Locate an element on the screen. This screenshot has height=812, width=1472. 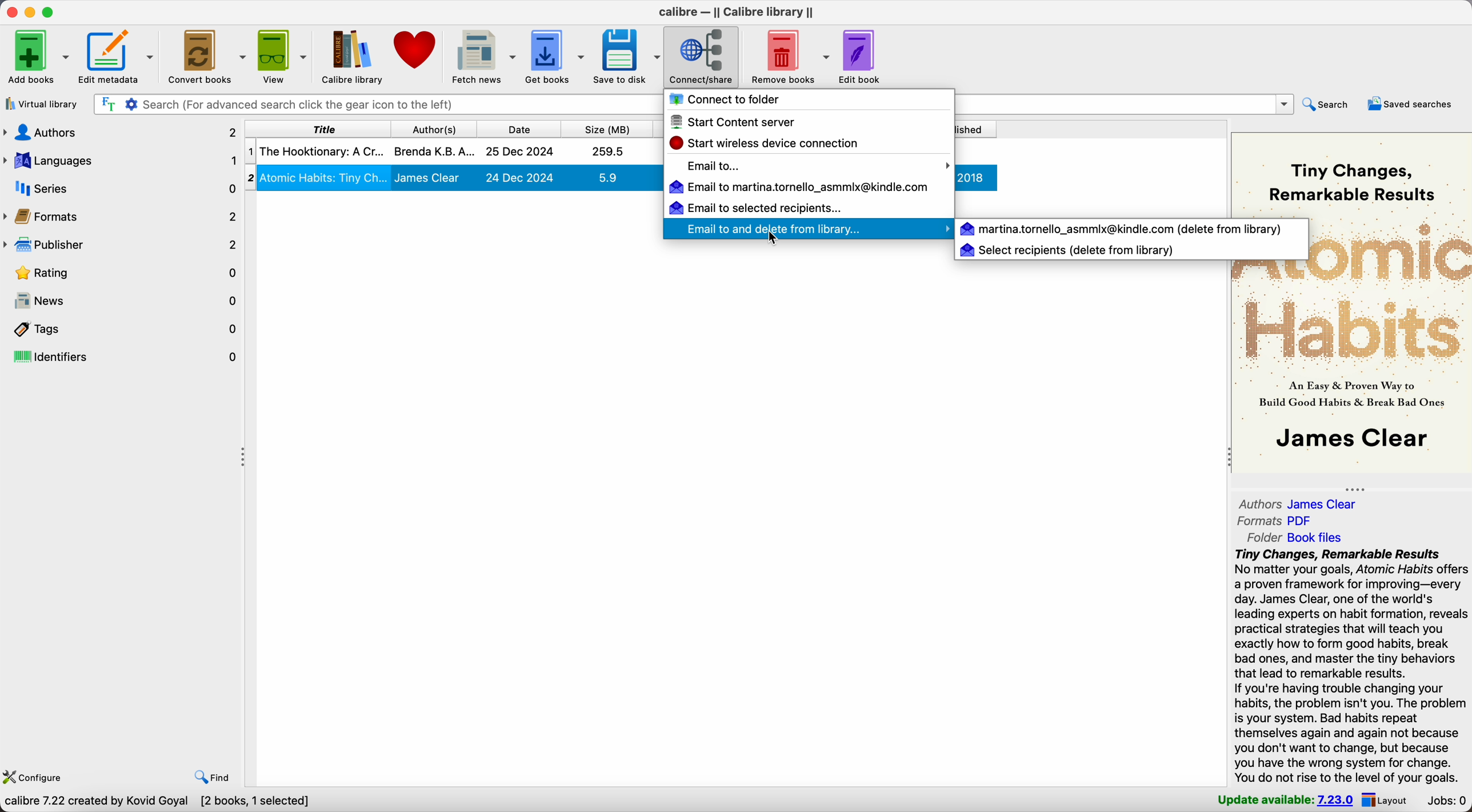
Calibre - || Calibre library || is located at coordinates (736, 12).